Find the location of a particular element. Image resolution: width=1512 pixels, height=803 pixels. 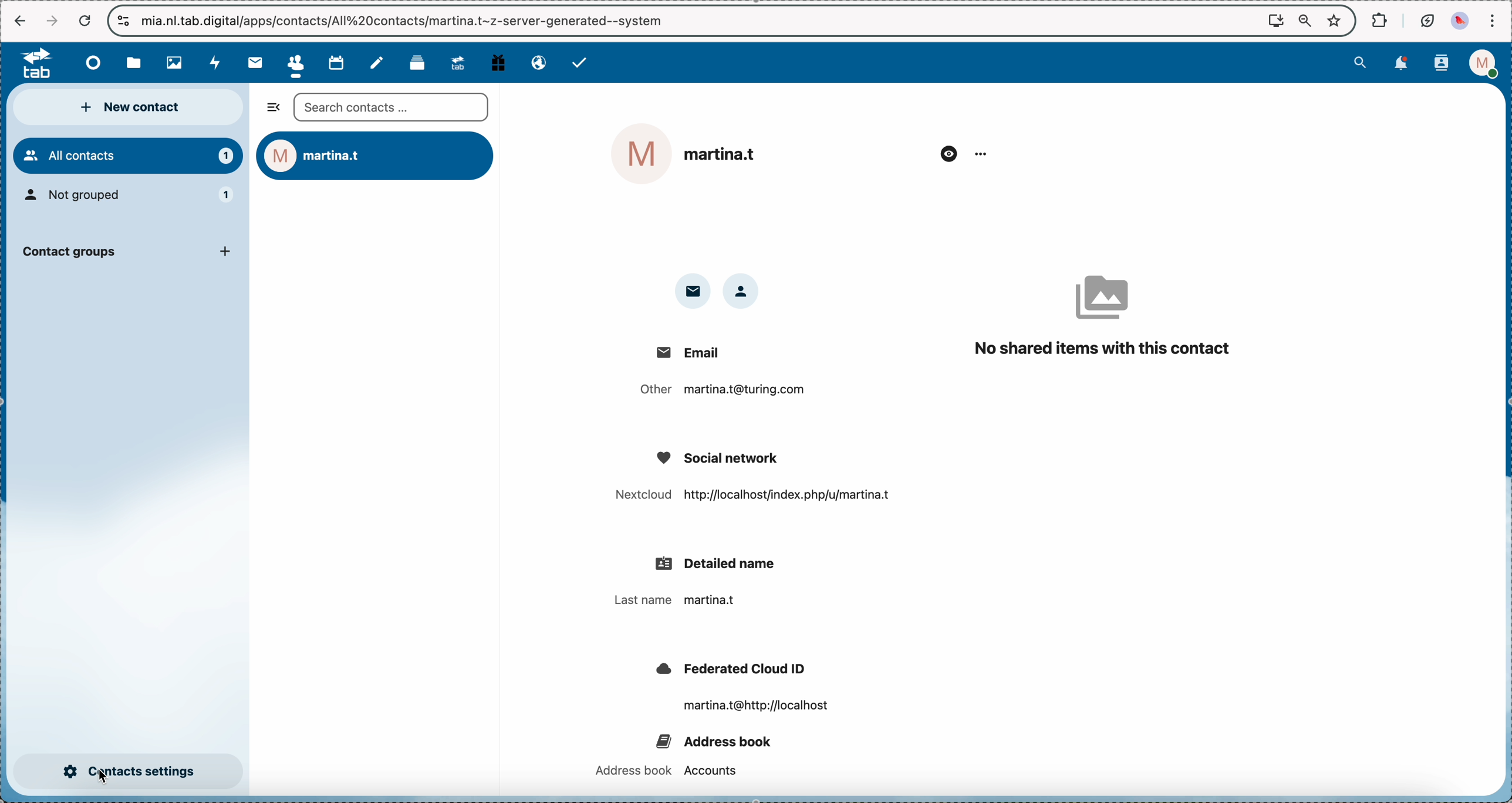

social network is located at coordinates (747, 477).